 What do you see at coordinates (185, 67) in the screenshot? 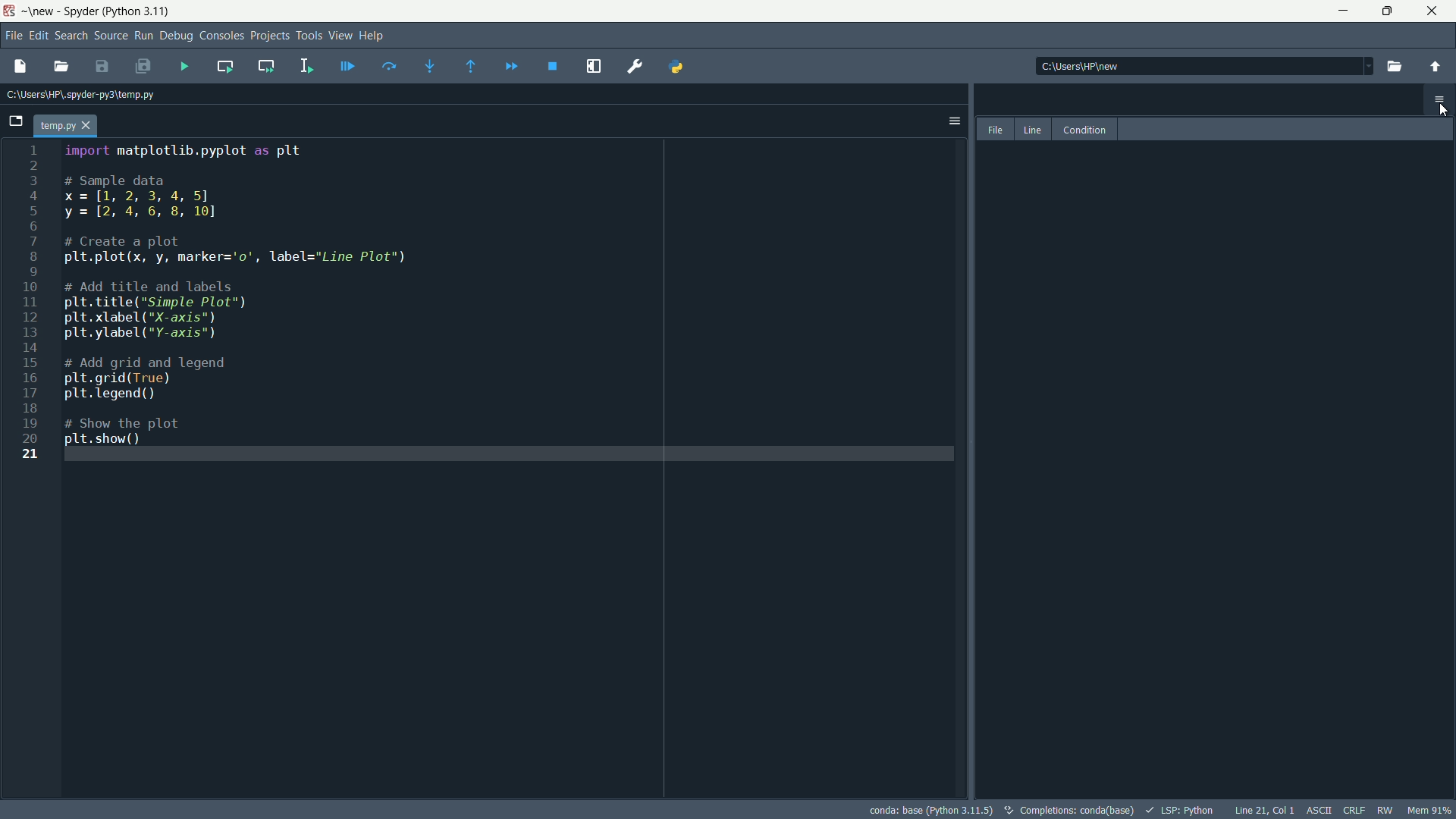
I see `run file` at bounding box center [185, 67].